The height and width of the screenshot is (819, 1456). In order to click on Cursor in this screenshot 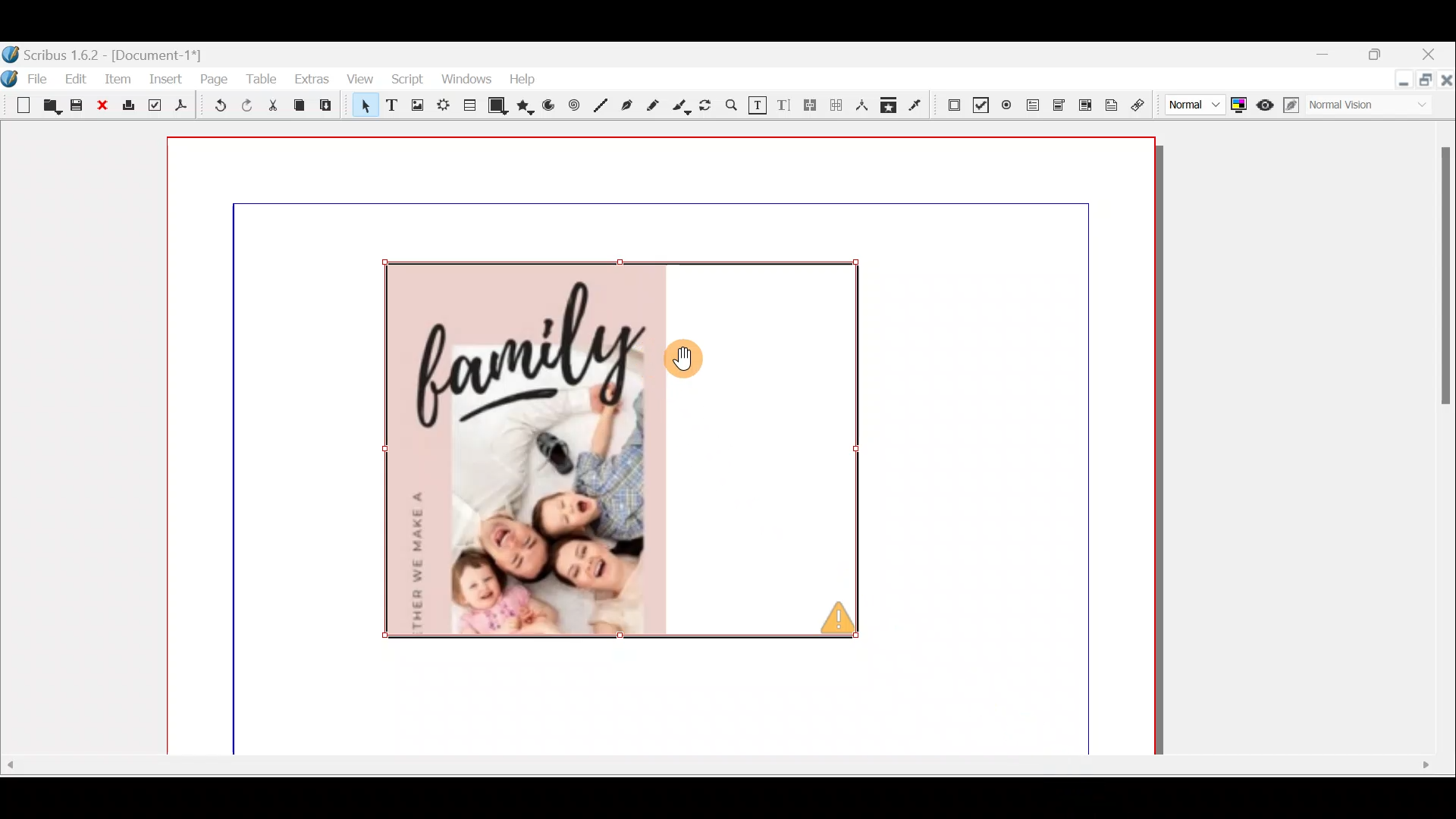, I will do `click(695, 362)`.